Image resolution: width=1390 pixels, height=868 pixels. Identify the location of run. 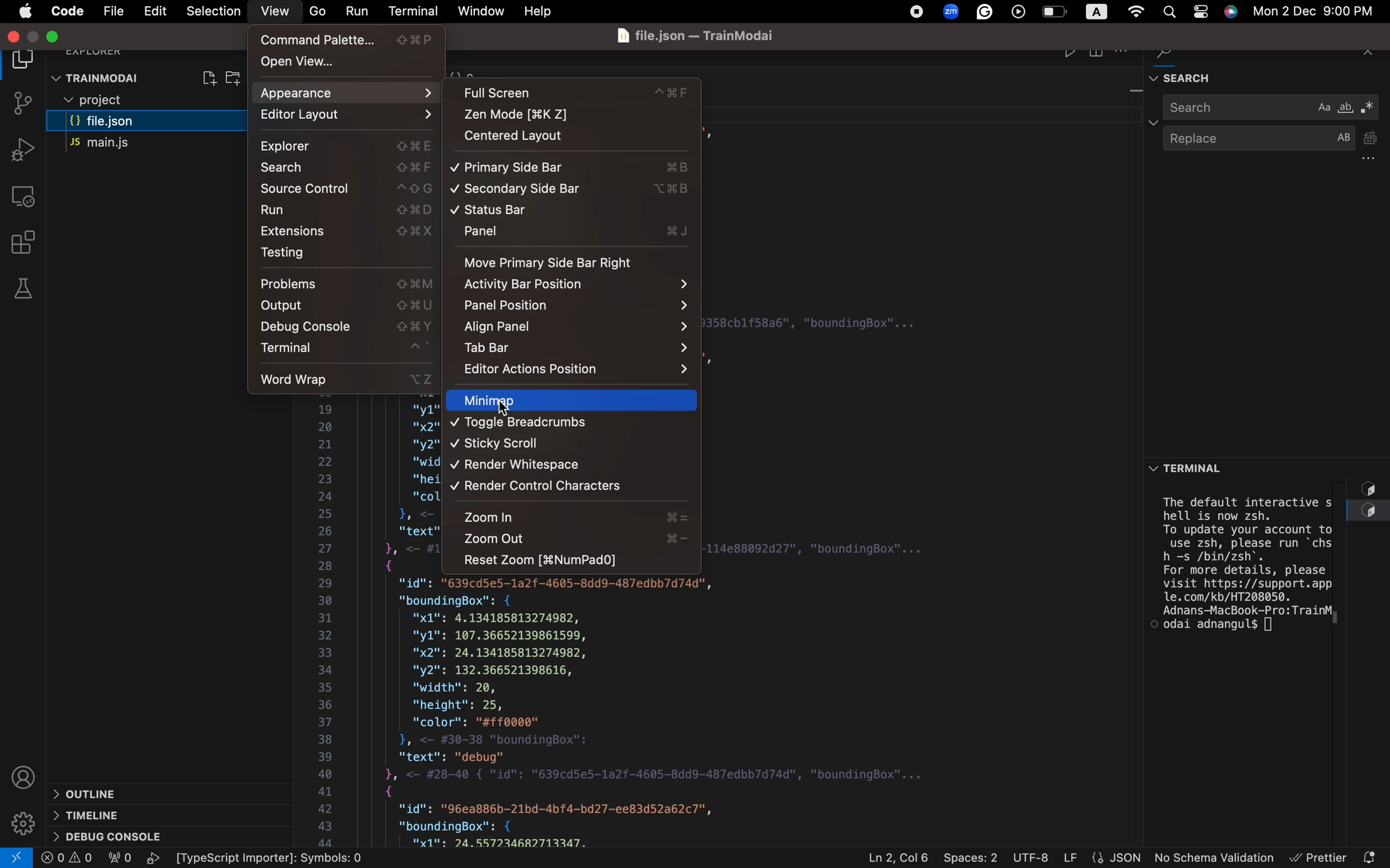
(344, 210).